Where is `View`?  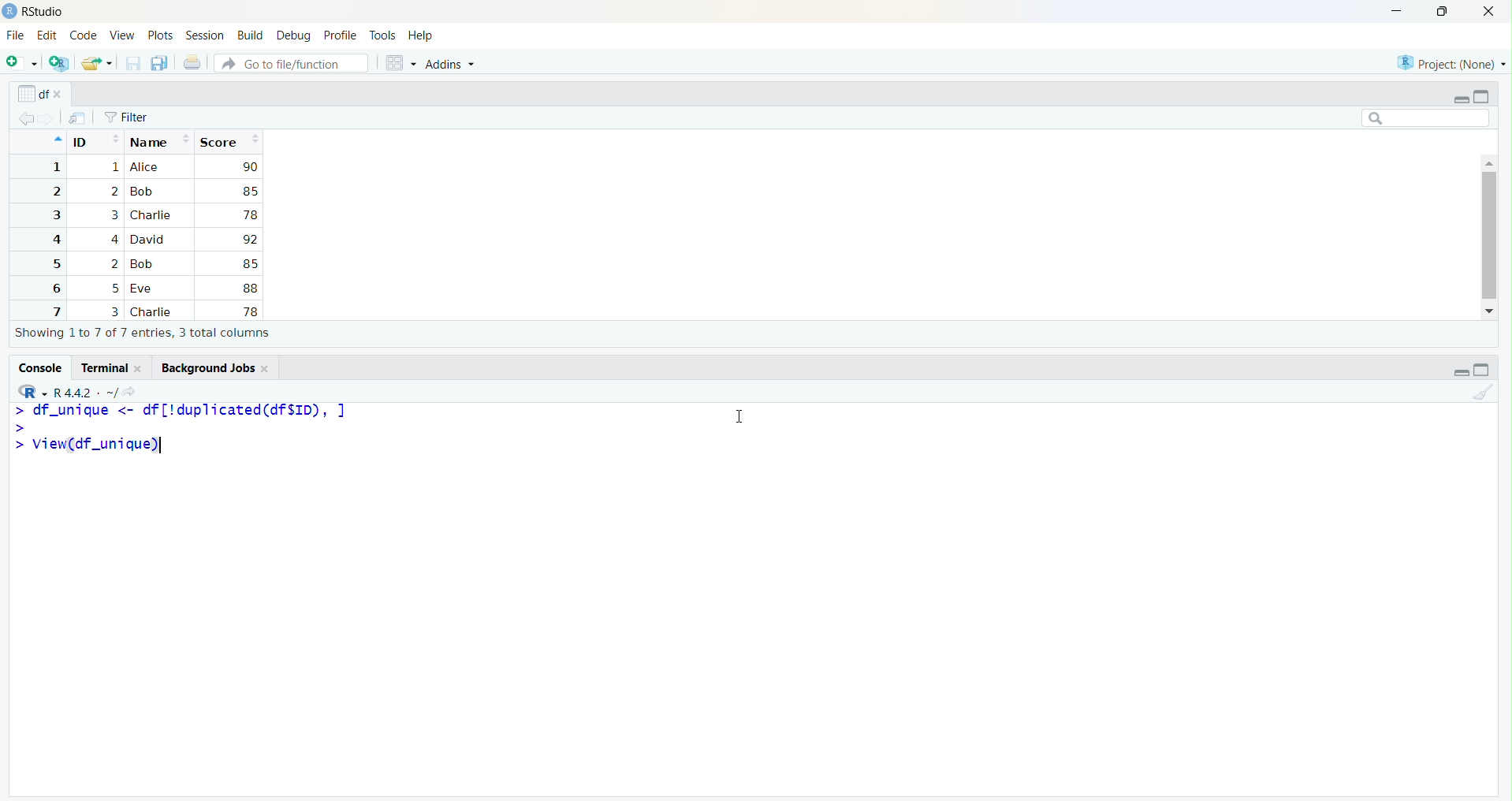
View is located at coordinates (122, 37).